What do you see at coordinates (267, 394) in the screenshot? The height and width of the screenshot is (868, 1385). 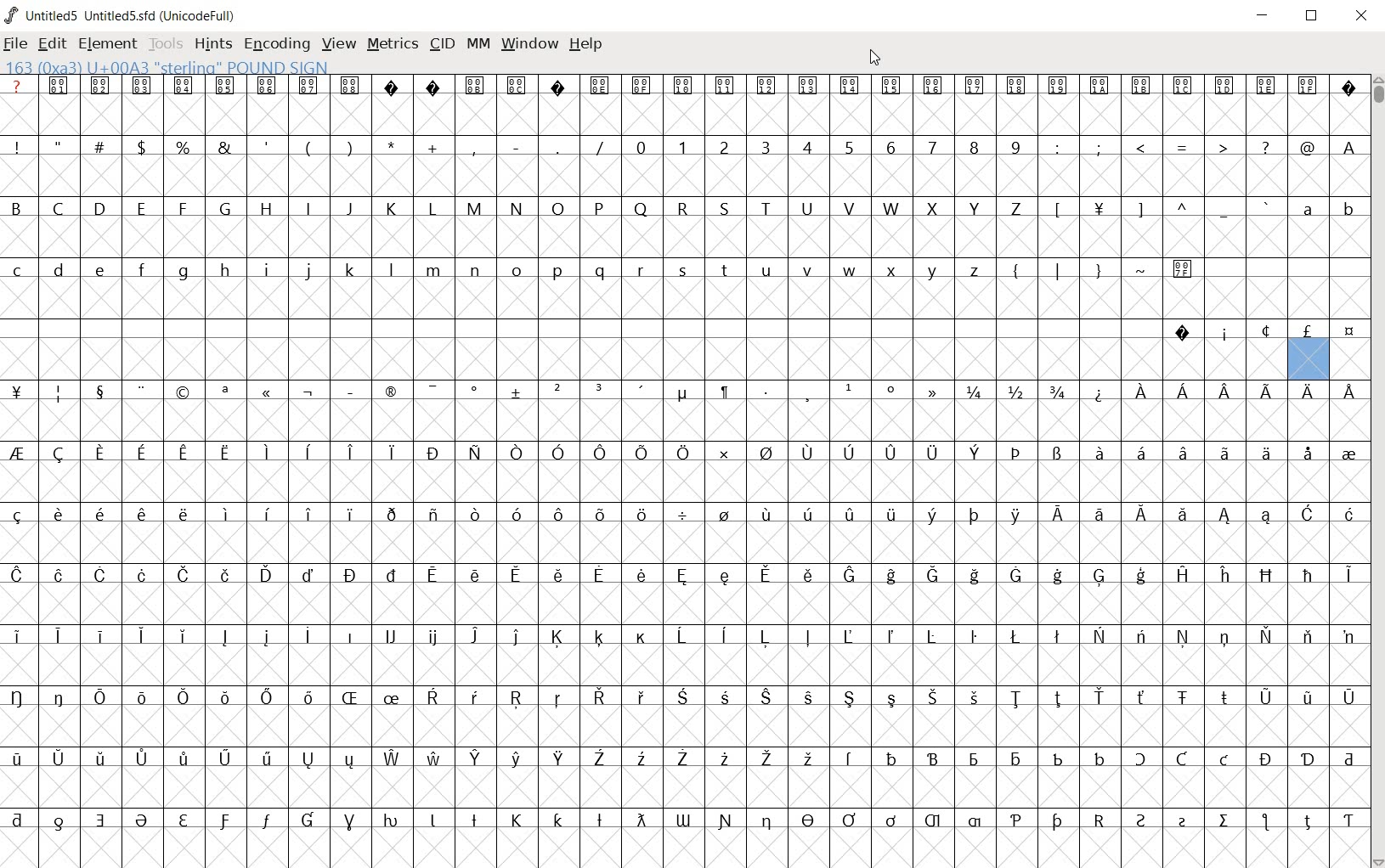 I see `Symbol` at bounding box center [267, 394].